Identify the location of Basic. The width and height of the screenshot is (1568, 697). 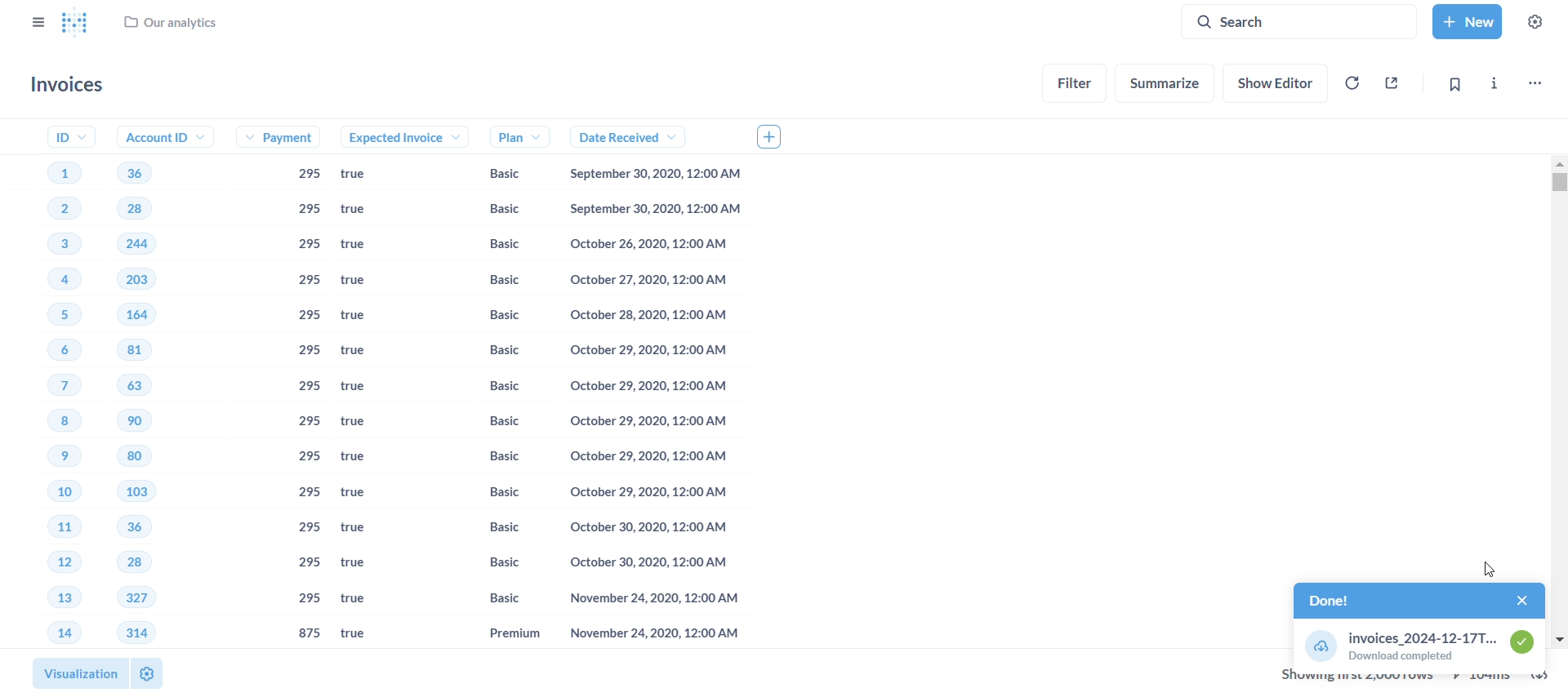
(492, 352).